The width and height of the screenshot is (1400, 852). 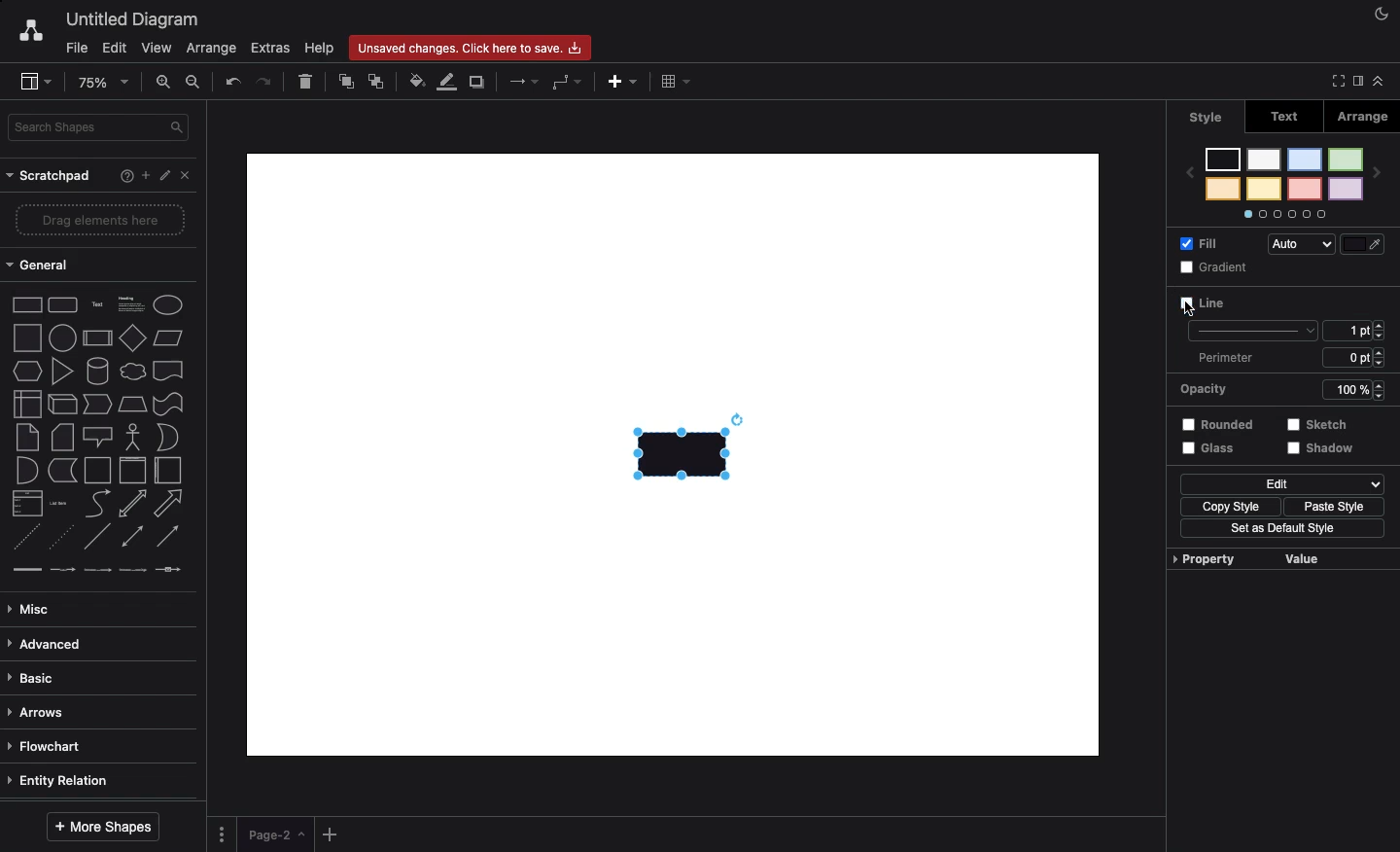 What do you see at coordinates (1375, 172) in the screenshot?
I see `next` at bounding box center [1375, 172].